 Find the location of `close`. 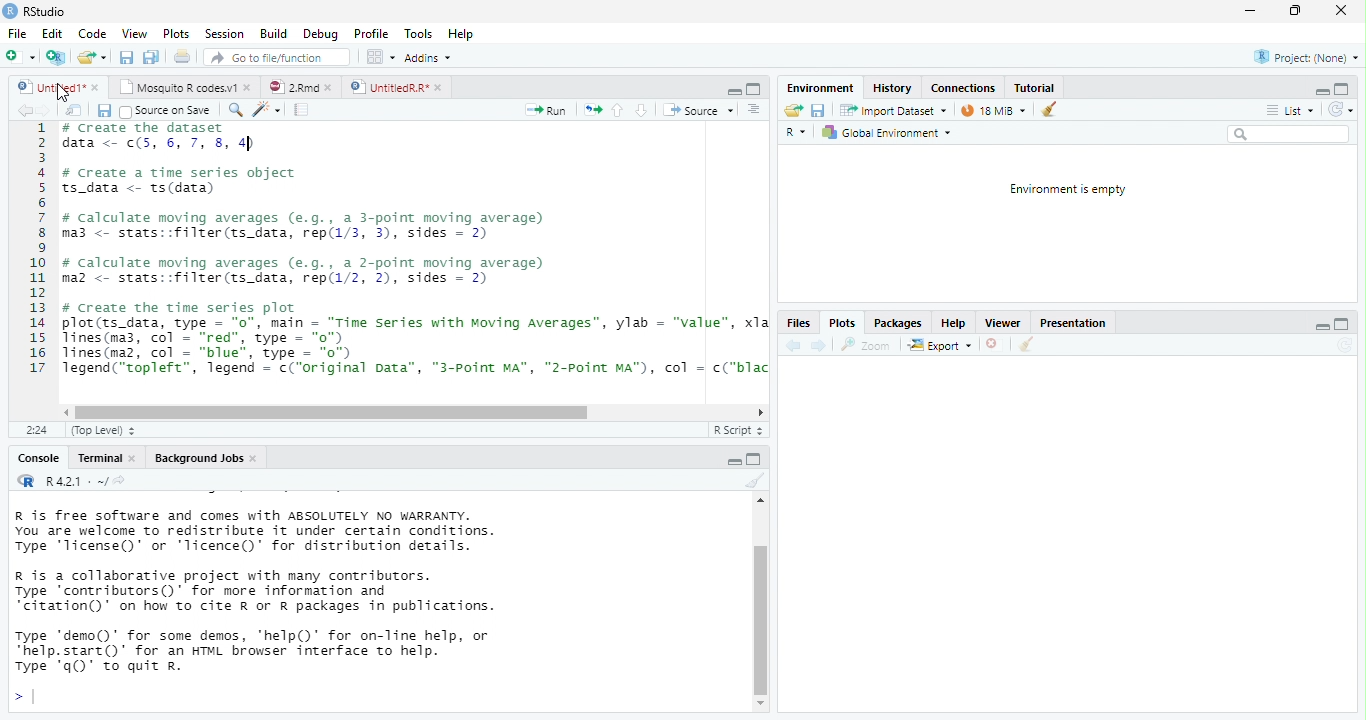

close is located at coordinates (97, 89).